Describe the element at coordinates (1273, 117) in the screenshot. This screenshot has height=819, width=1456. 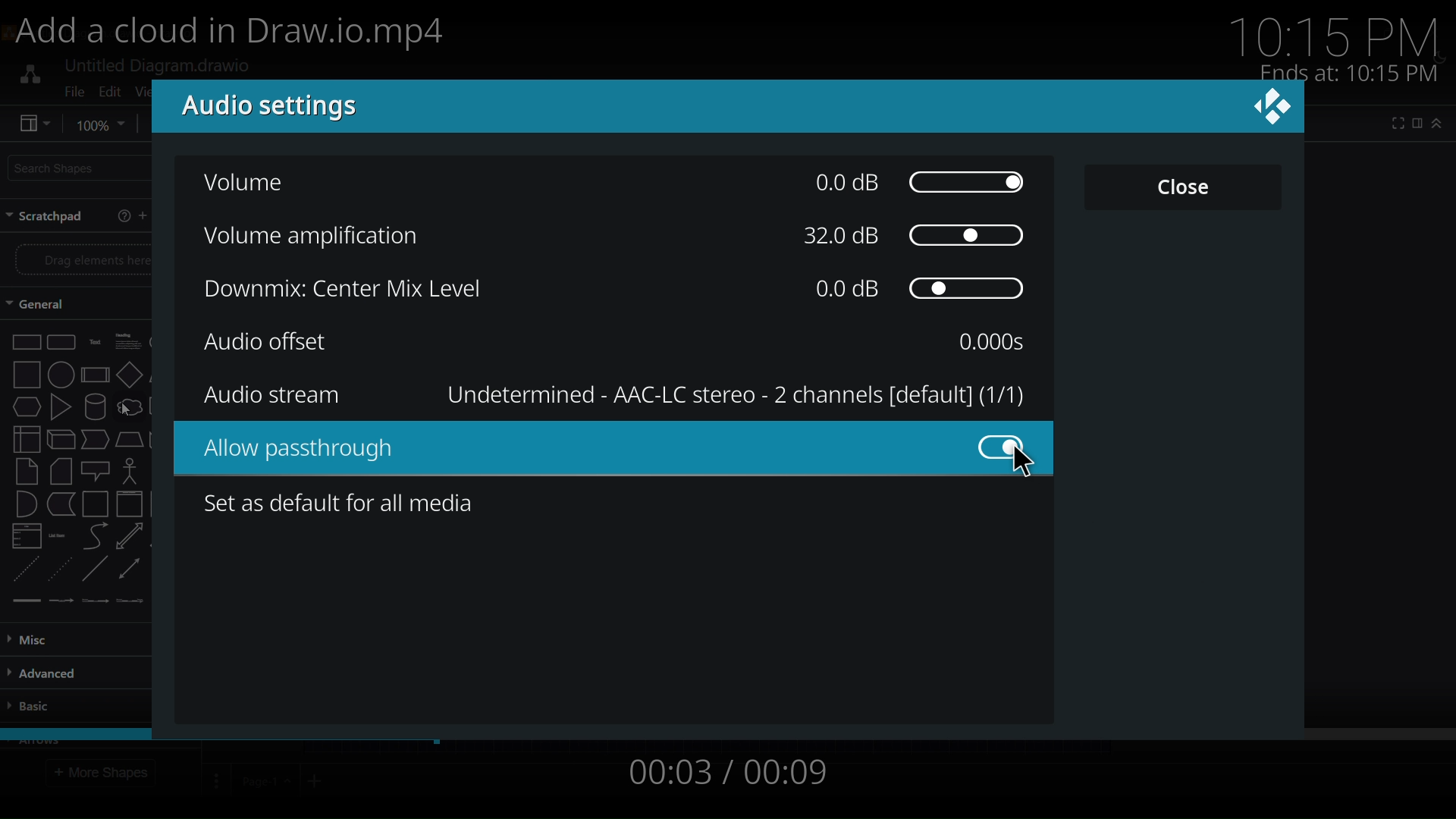
I see `close dialog` at that location.